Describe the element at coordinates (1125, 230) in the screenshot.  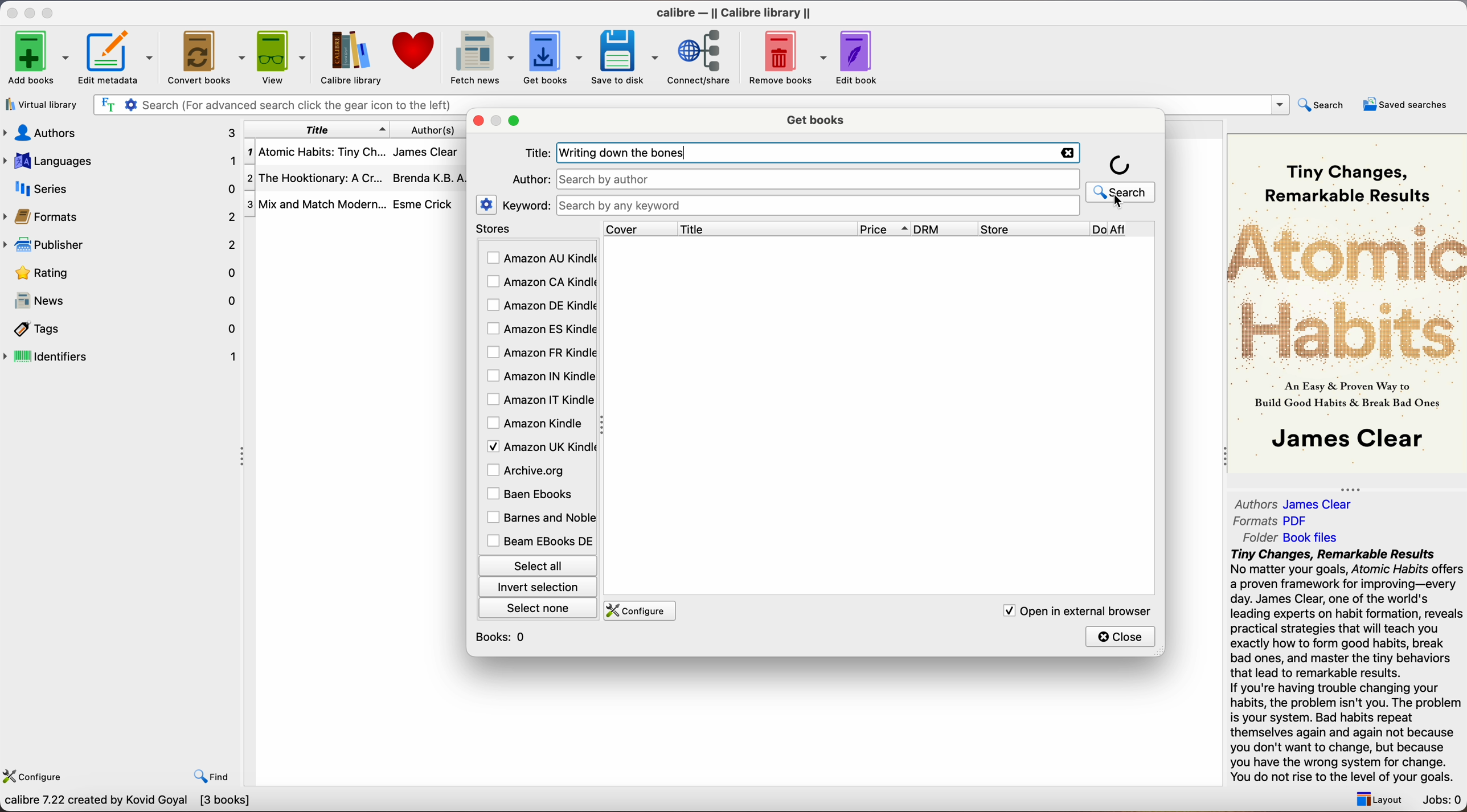
I see `do Af1` at that location.